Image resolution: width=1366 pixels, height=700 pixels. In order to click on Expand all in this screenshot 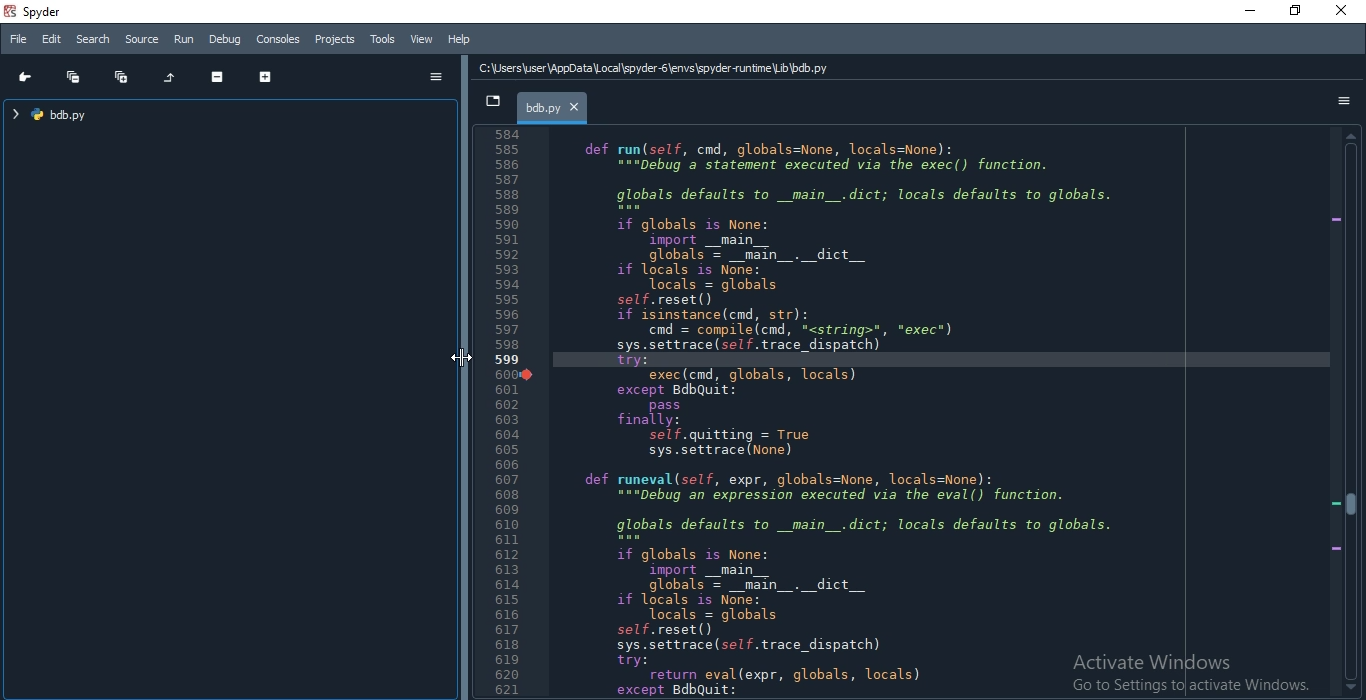, I will do `click(122, 76)`.